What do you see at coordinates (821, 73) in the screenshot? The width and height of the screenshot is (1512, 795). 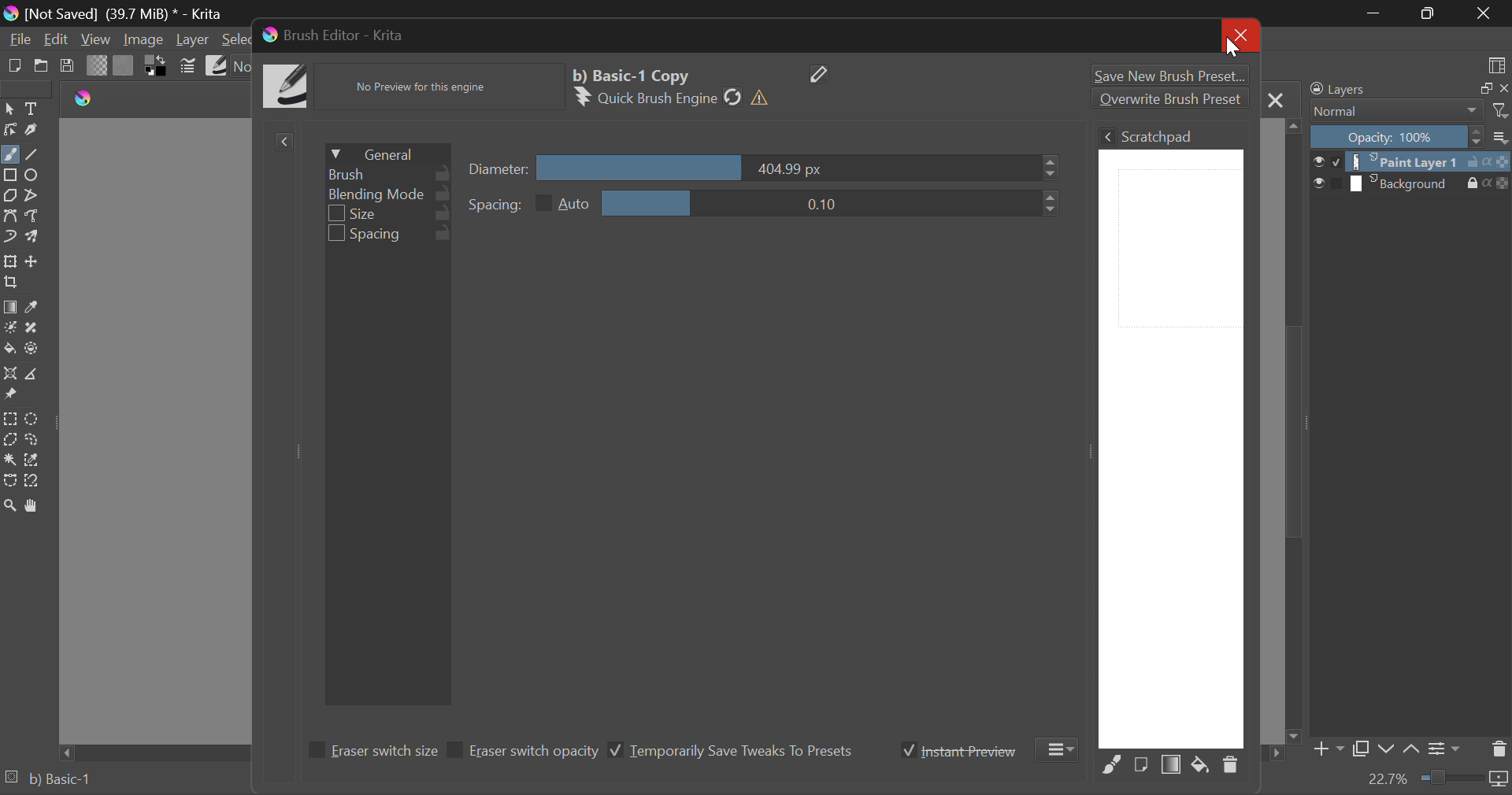 I see `Edit Name` at bounding box center [821, 73].